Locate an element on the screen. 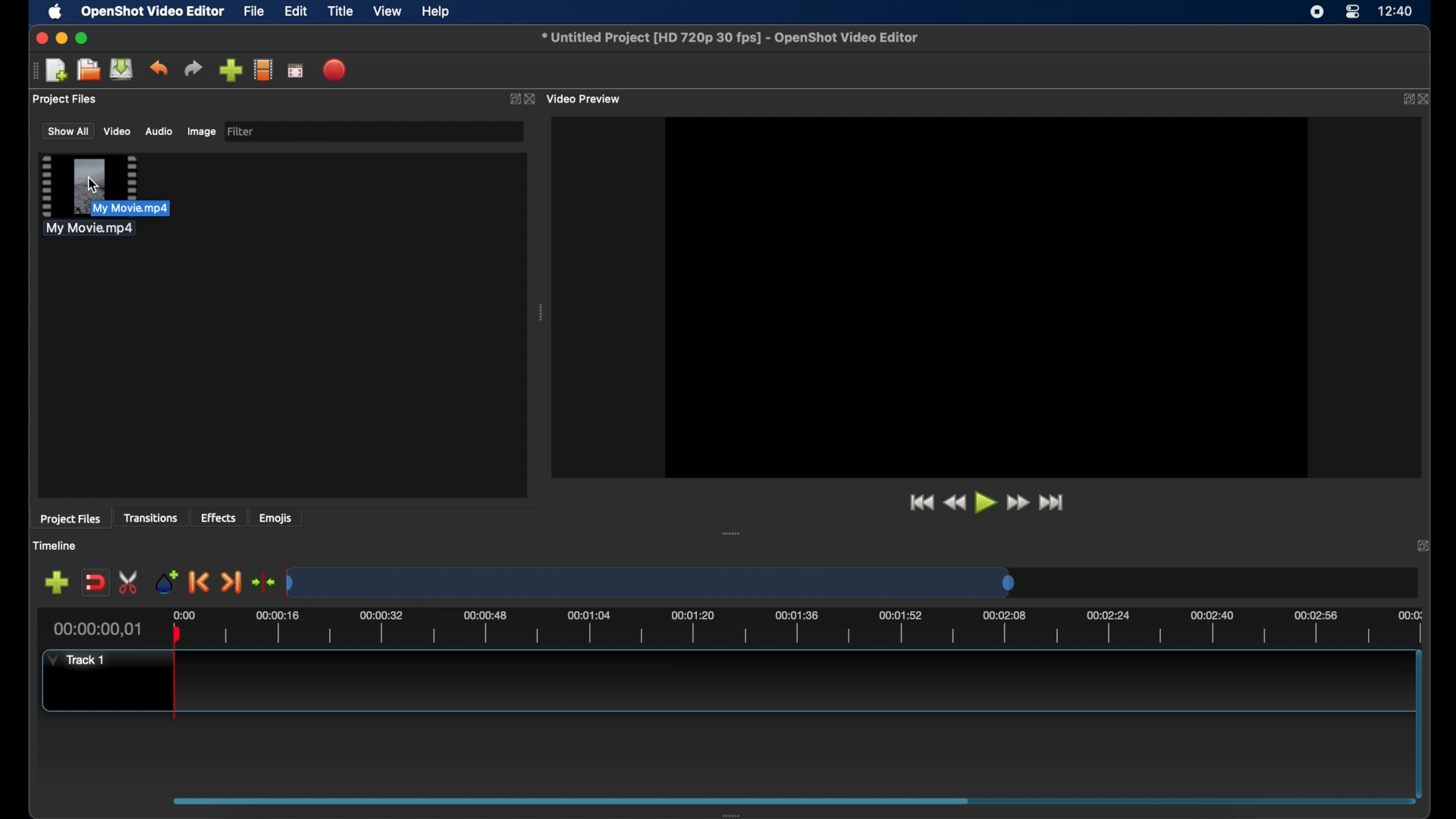 This screenshot has width=1456, height=819. import files is located at coordinates (231, 71).